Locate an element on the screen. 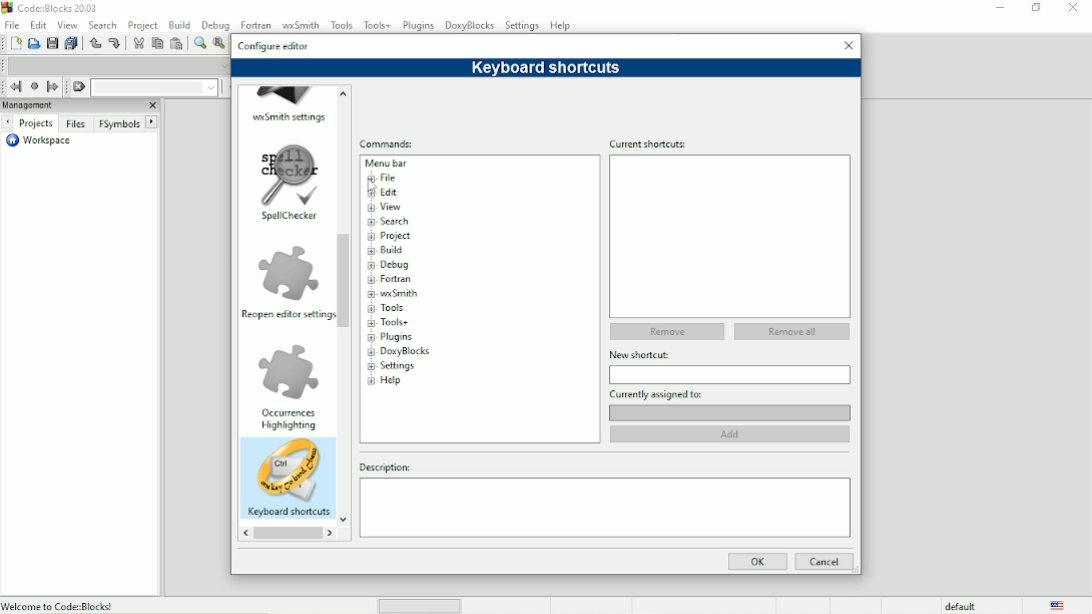 The width and height of the screenshot is (1092, 614). Paste is located at coordinates (176, 43).